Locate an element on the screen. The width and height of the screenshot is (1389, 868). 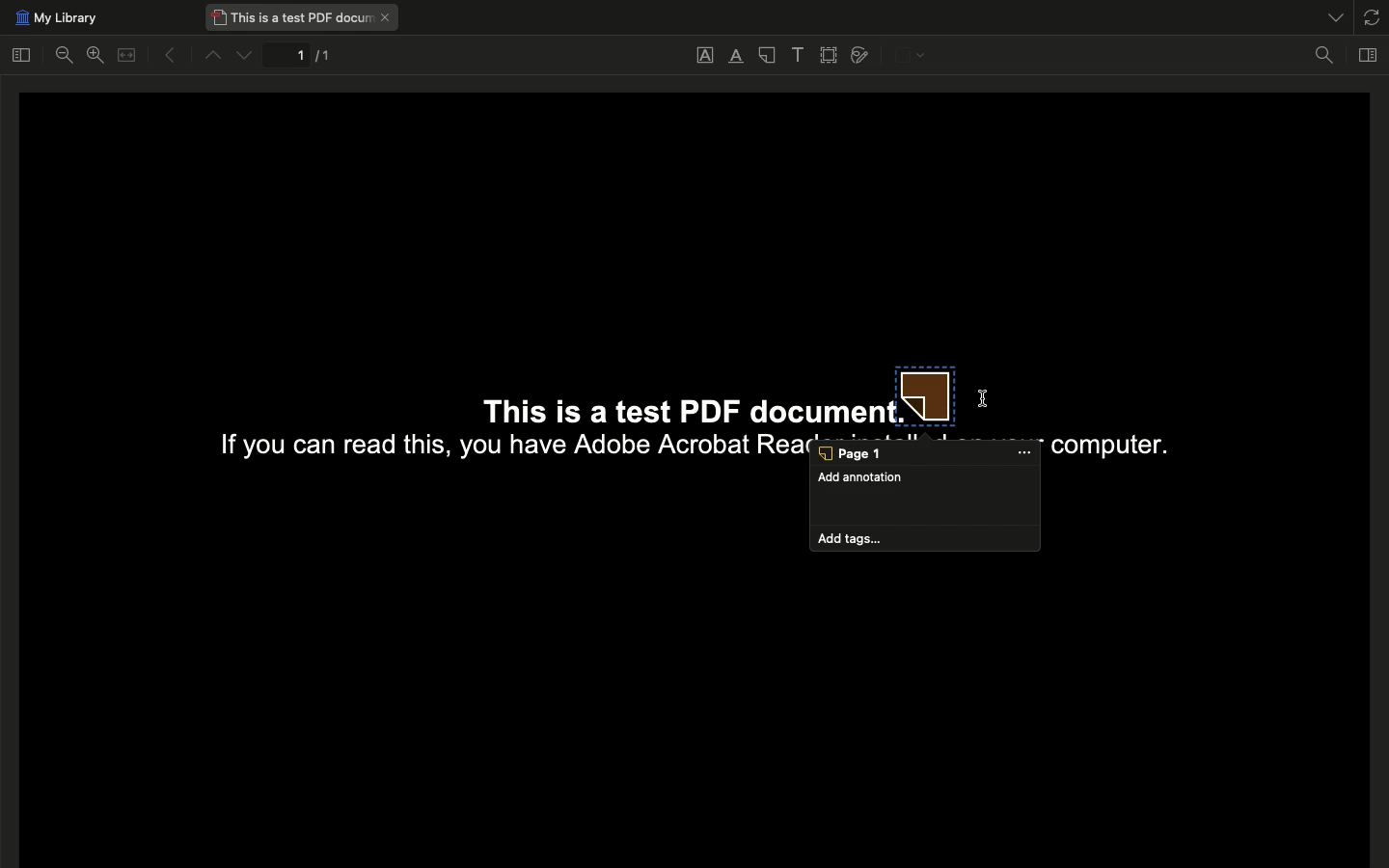
Underline text is located at coordinates (705, 54).